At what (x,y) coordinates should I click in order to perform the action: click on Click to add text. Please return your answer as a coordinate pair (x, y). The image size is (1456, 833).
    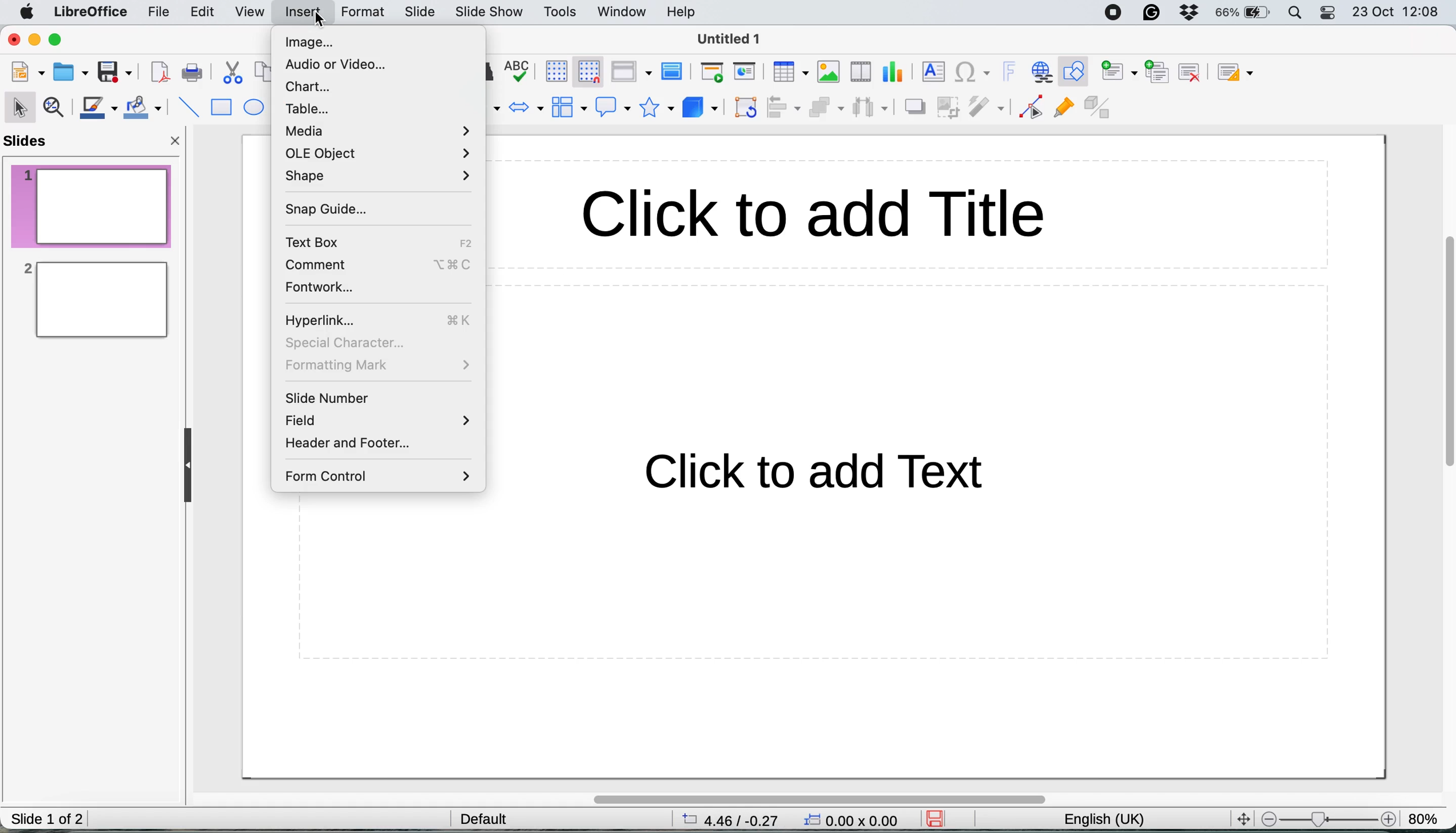
    Looking at the image, I should click on (799, 481).